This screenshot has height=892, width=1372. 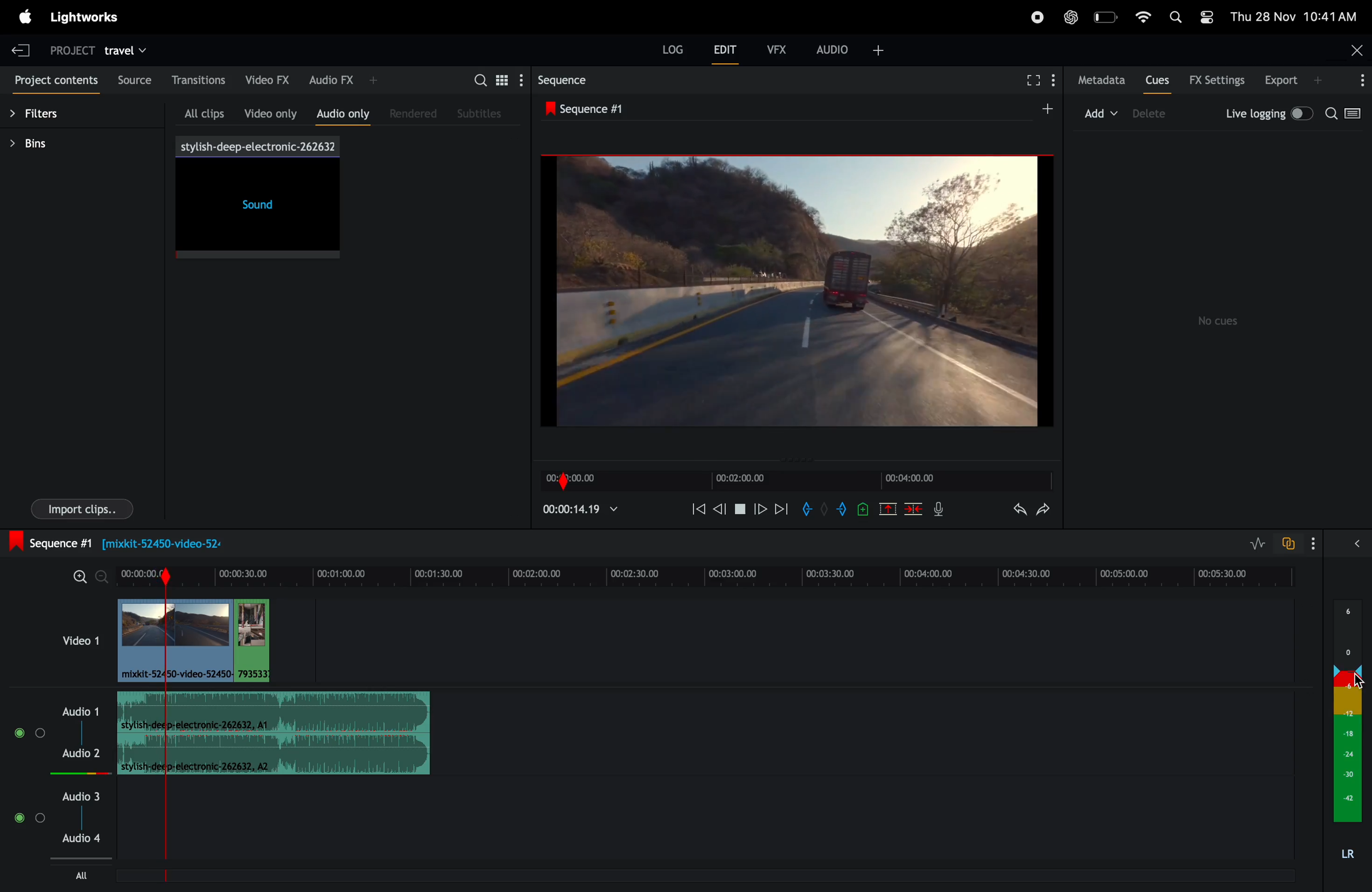 What do you see at coordinates (941, 510) in the screenshot?
I see `mic` at bounding box center [941, 510].